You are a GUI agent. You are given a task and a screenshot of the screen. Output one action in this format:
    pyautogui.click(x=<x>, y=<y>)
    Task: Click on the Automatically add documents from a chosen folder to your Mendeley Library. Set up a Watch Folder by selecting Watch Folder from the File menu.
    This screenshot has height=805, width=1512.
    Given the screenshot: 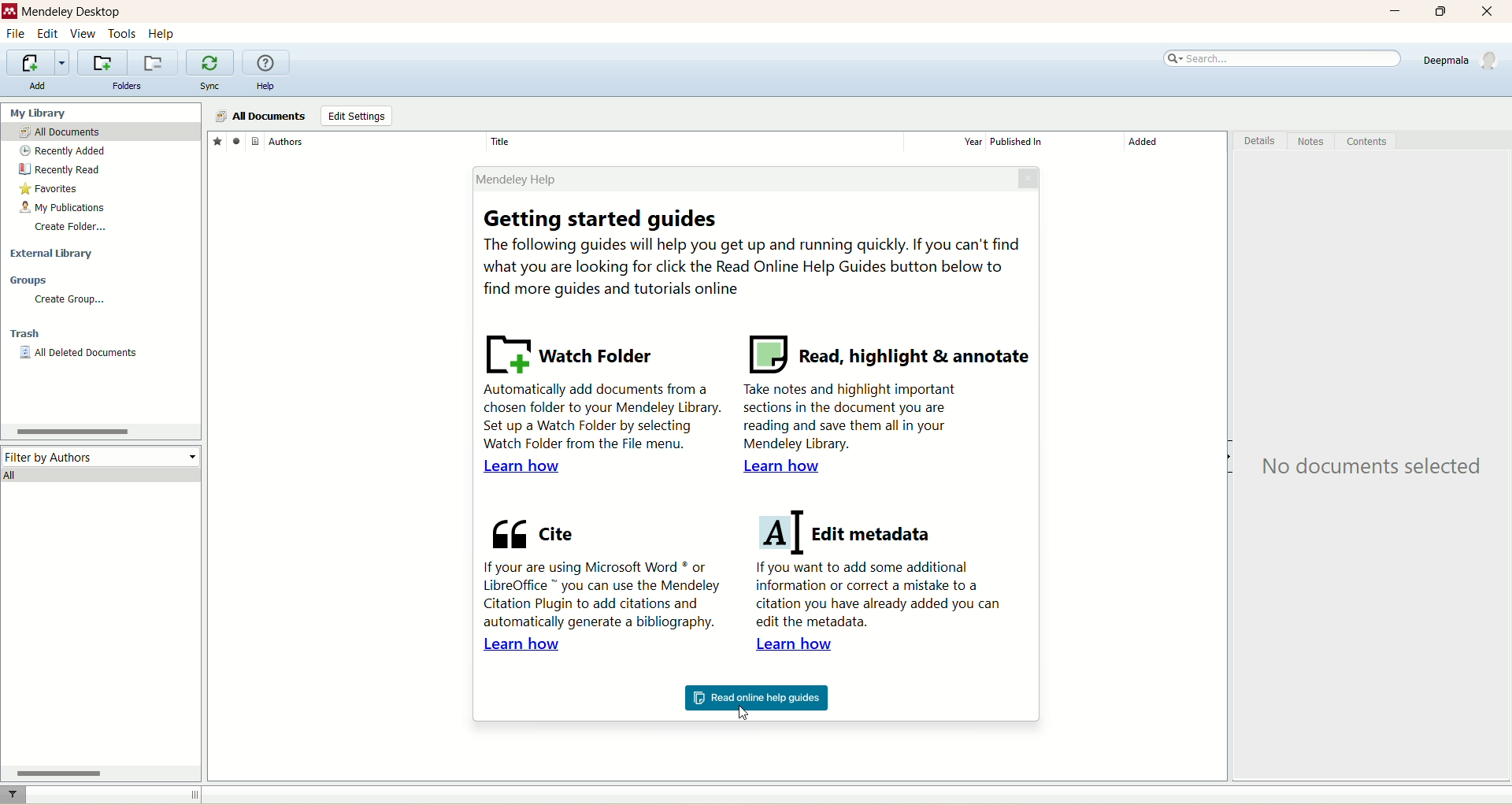 What is the action you would take?
    pyautogui.click(x=598, y=416)
    